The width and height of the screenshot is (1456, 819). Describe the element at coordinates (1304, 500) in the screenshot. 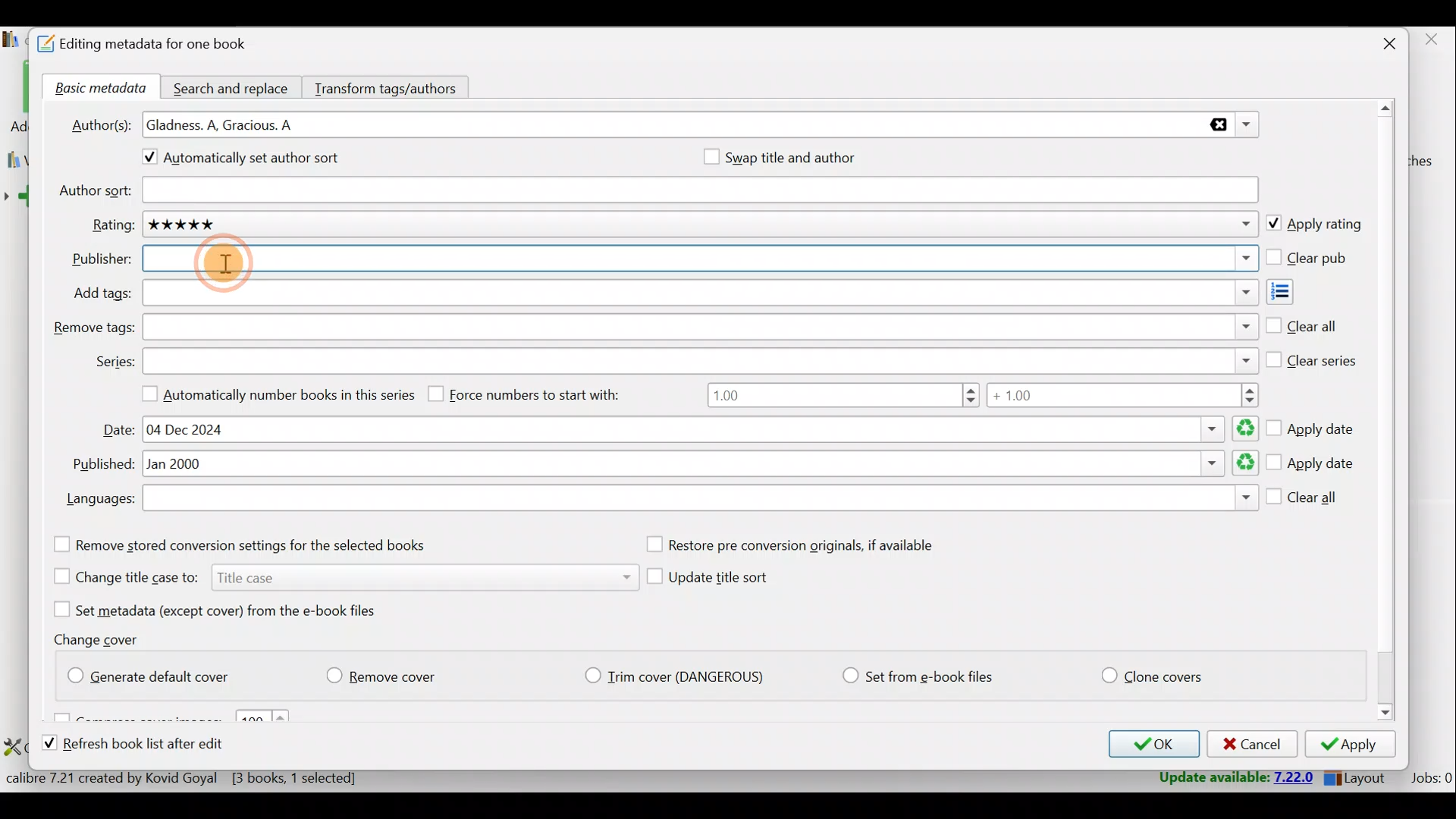

I see `Clear all` at that location.